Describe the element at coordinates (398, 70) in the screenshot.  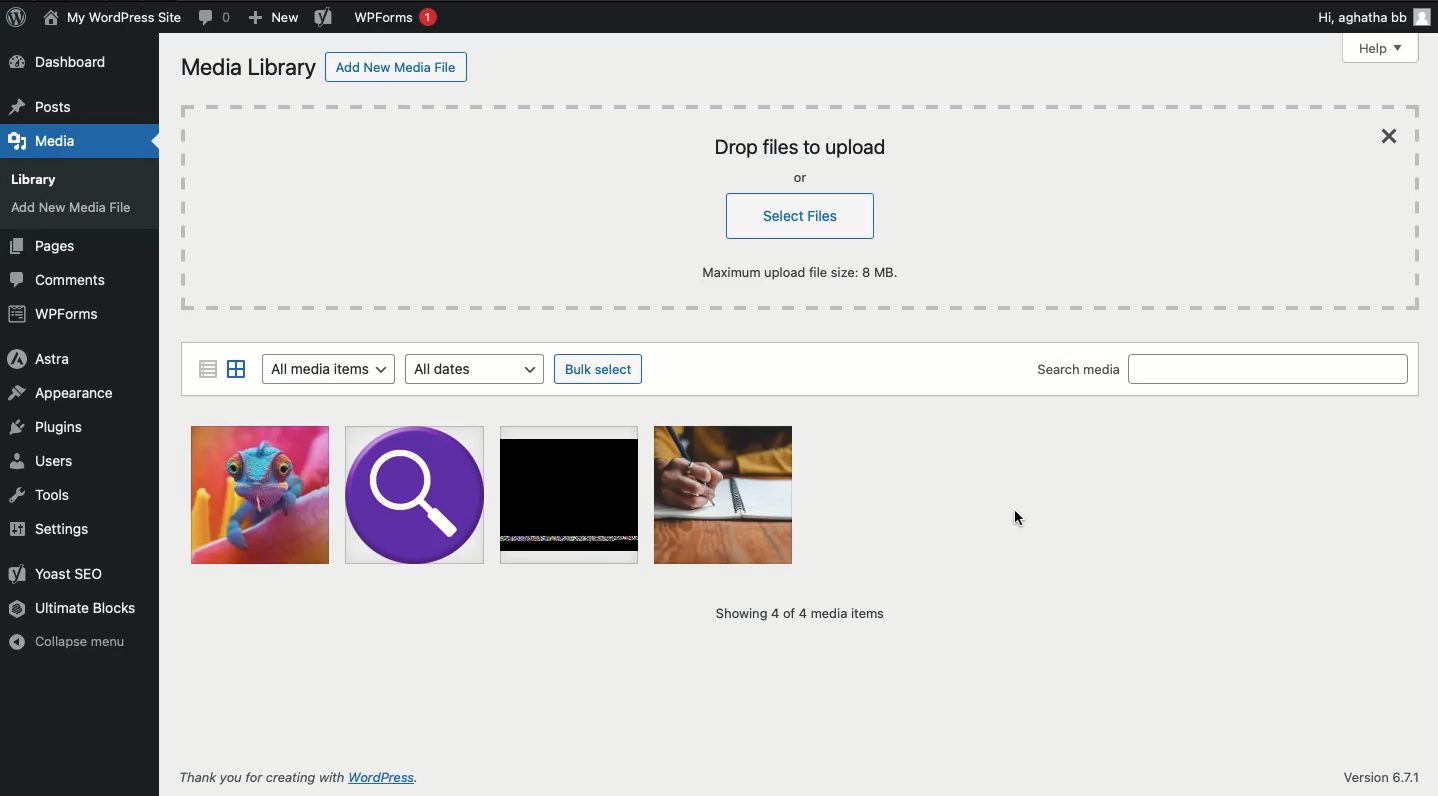
I see `Add new media file` at that location.